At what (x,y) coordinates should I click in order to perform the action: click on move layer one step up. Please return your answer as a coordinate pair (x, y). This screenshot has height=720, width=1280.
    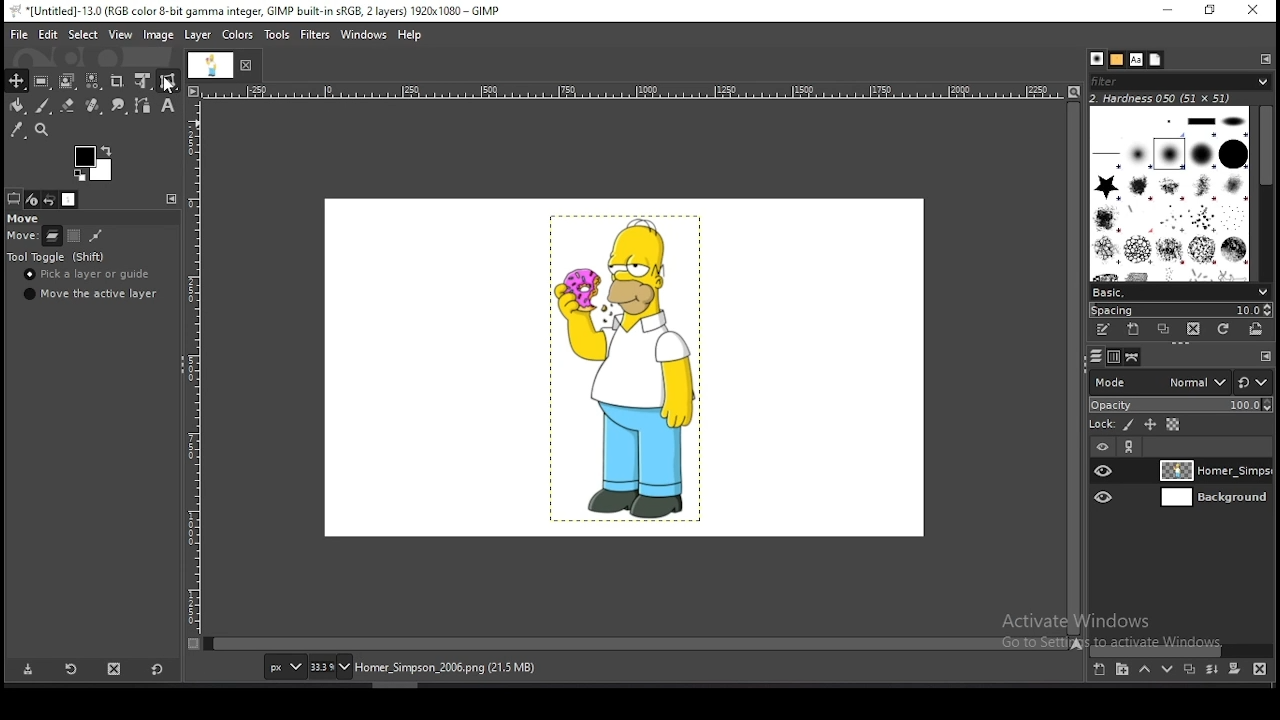
    Looking at the image, I should click on (1145, 672).